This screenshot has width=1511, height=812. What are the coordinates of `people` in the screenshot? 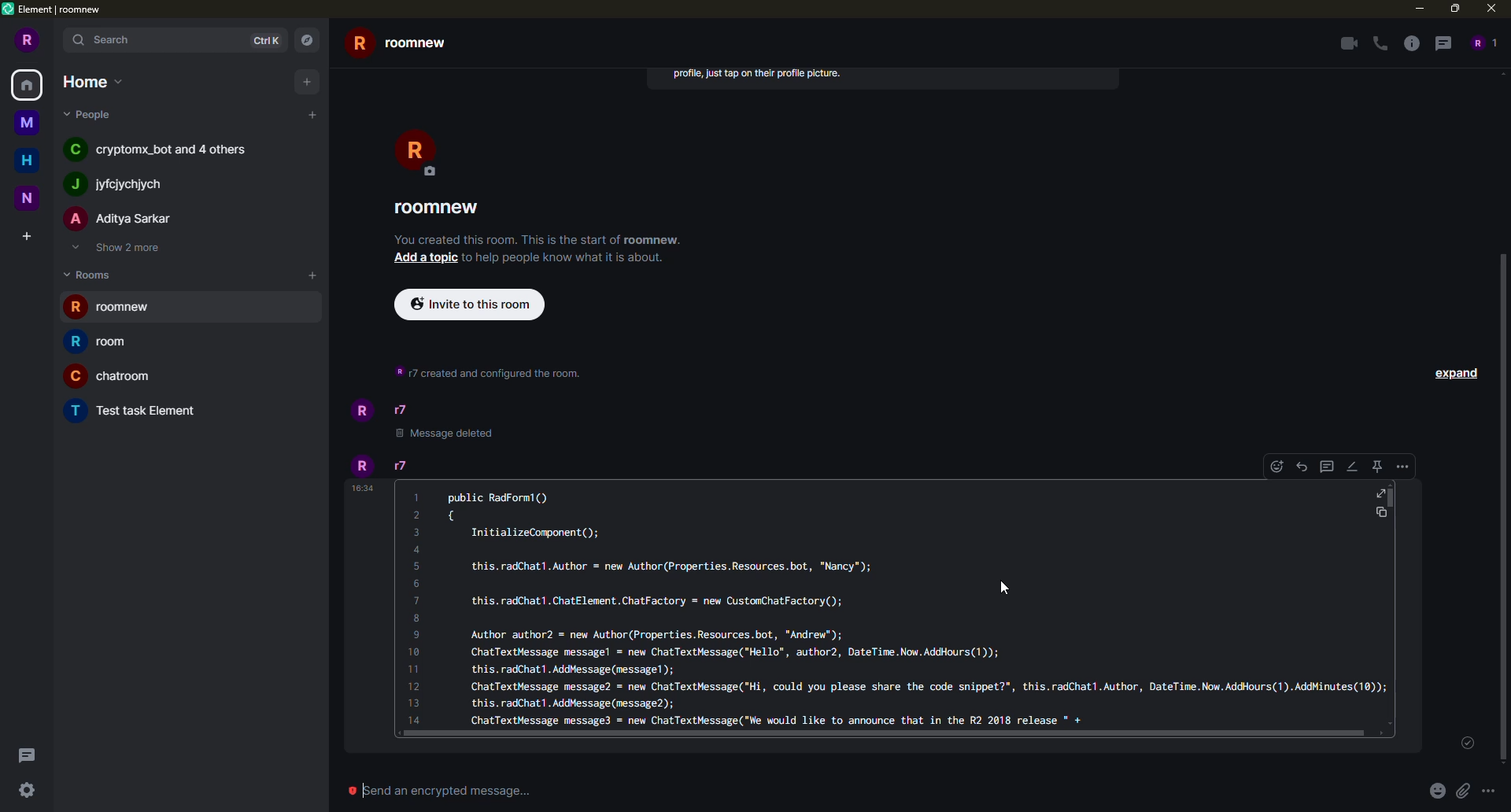 It's located at (122, 219).